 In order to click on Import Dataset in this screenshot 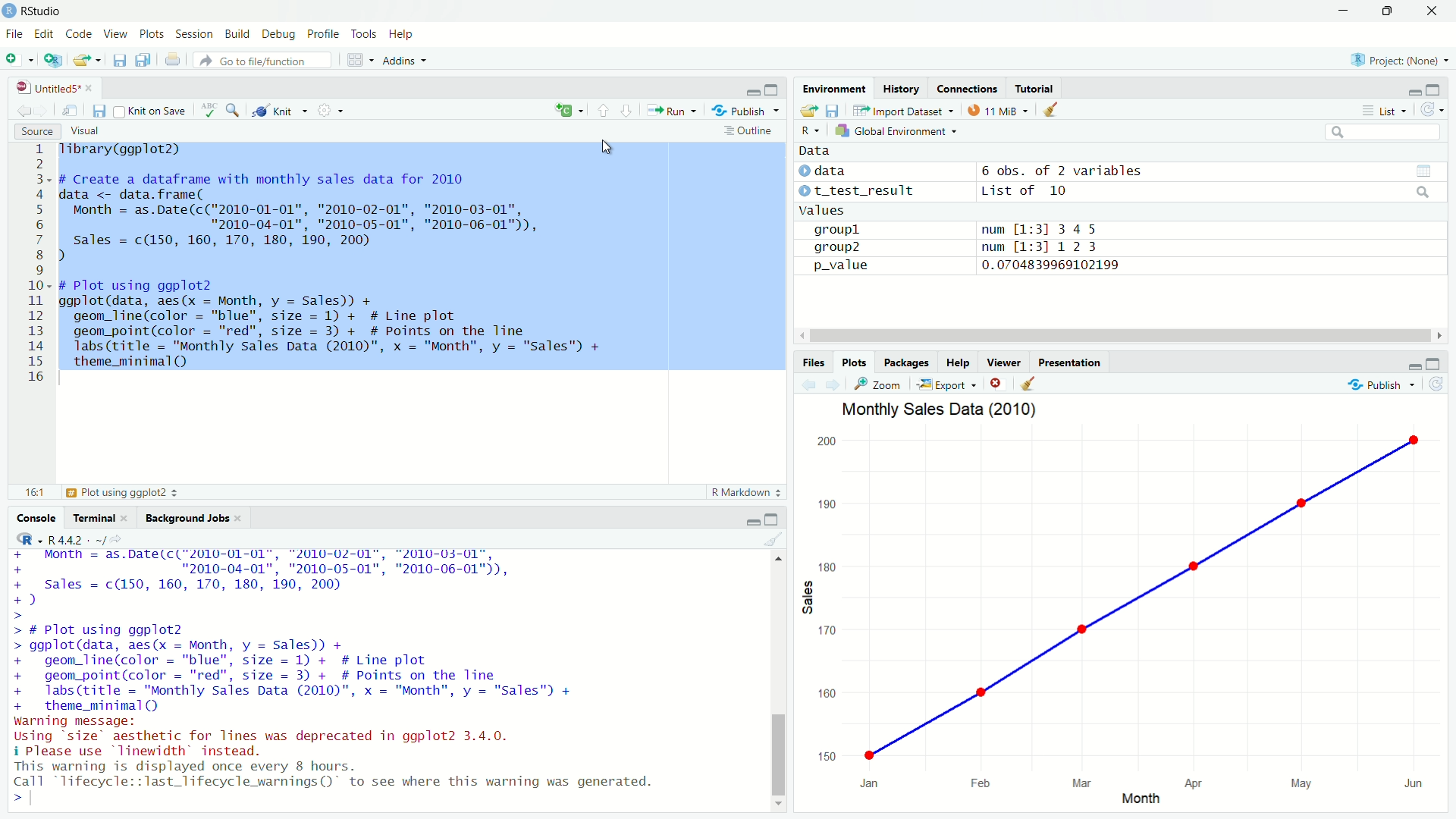, I will do `click(900, 111)`.